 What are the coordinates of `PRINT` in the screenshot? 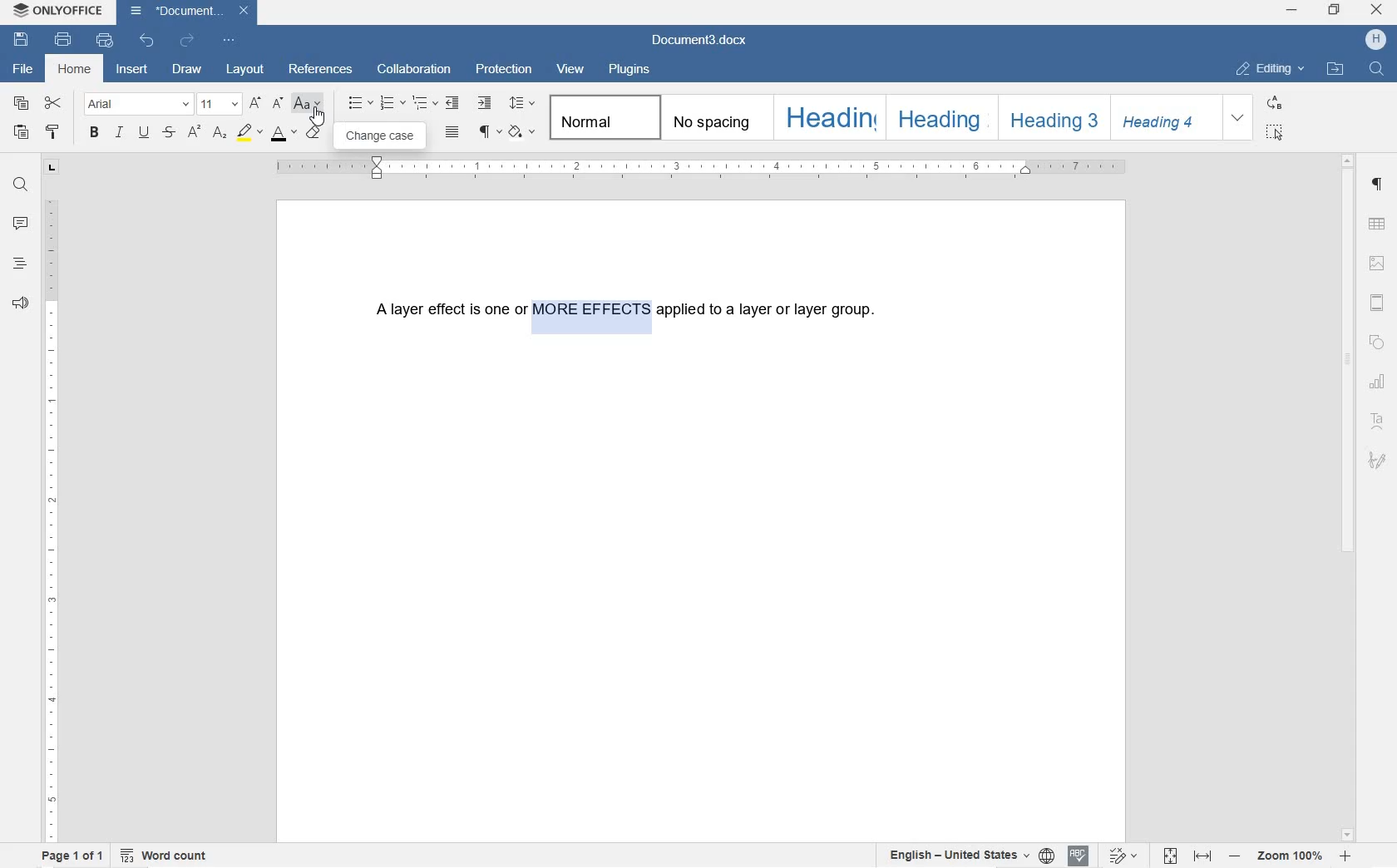 It's located at (62, 40).